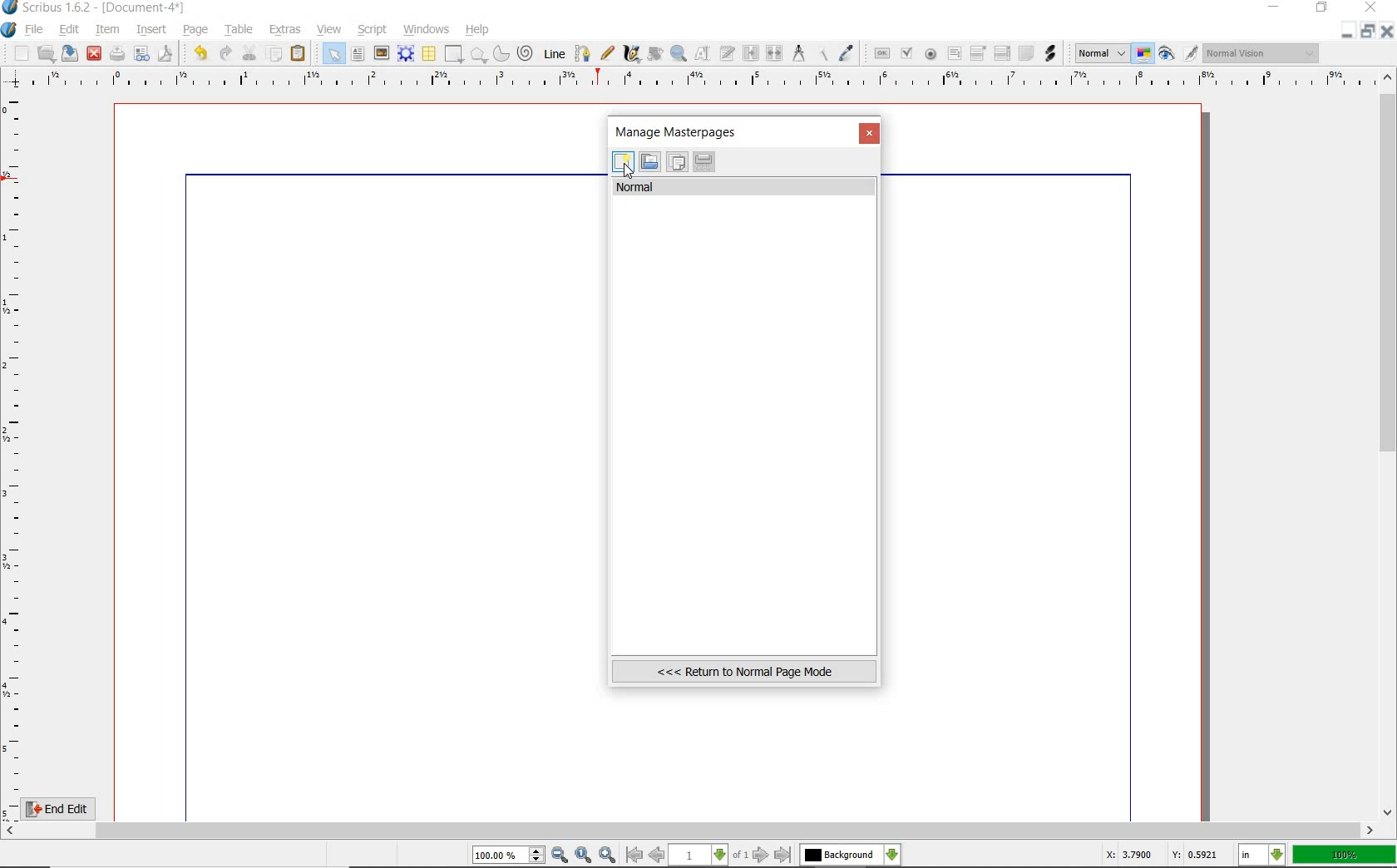 The width and height of the screenshot is (1397, 868). What do you see at coordinates (15, 454) in the screenshot?
I see `ruler` at bounding box center [15, 454].